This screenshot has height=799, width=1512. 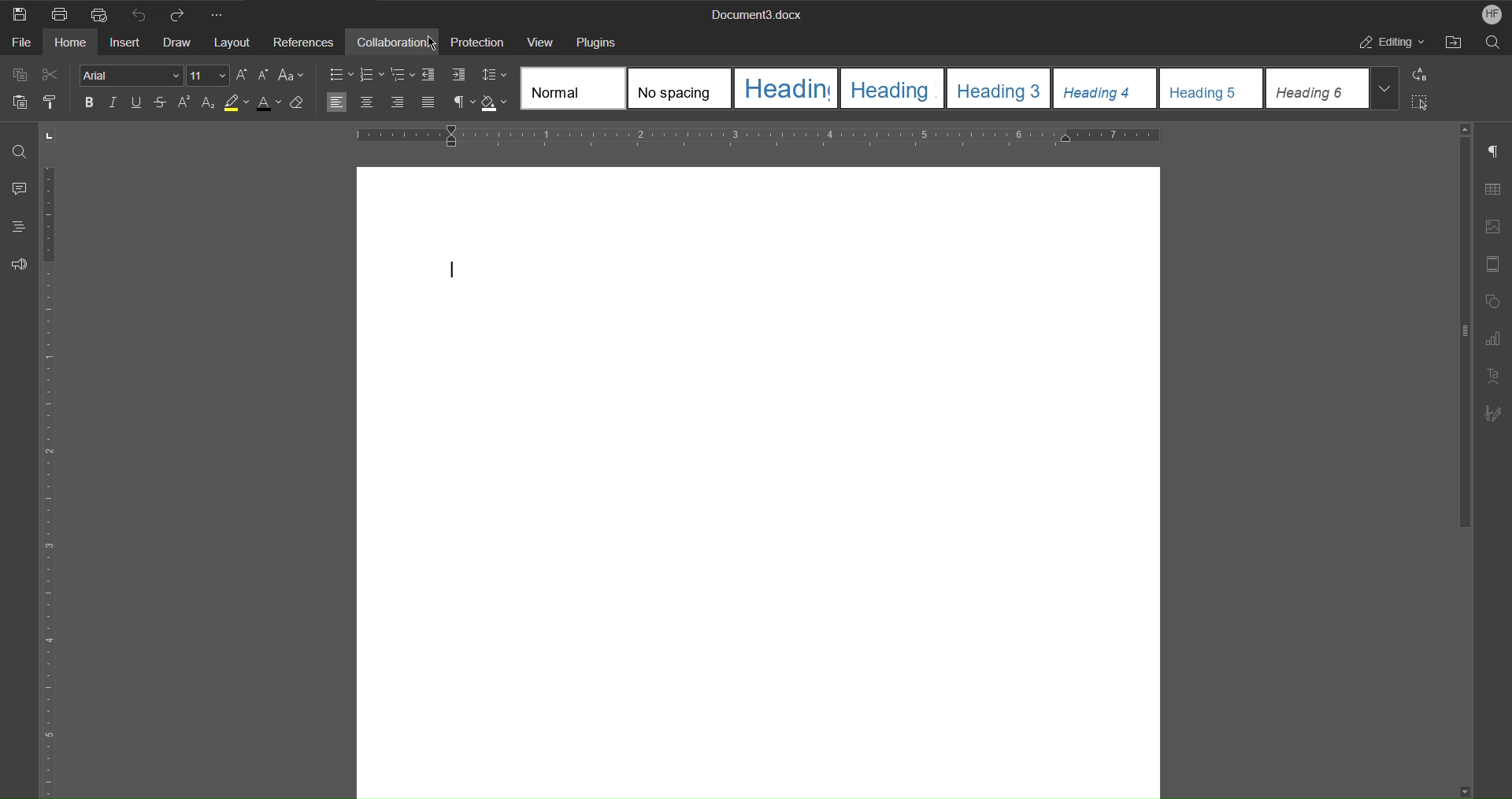 I want to click on Underline, so click(x=139, y=102).